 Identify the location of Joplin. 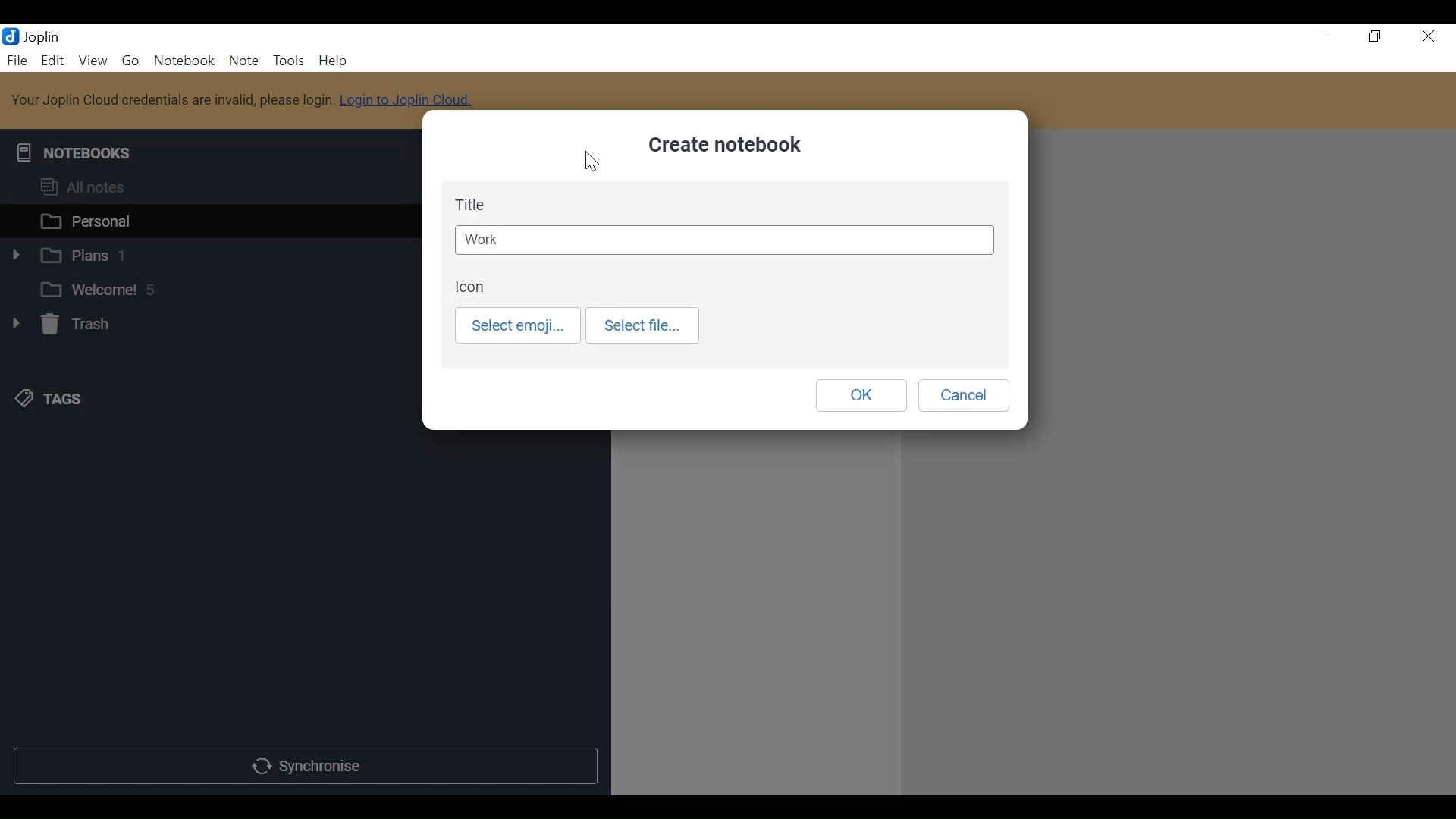
(47, 37).